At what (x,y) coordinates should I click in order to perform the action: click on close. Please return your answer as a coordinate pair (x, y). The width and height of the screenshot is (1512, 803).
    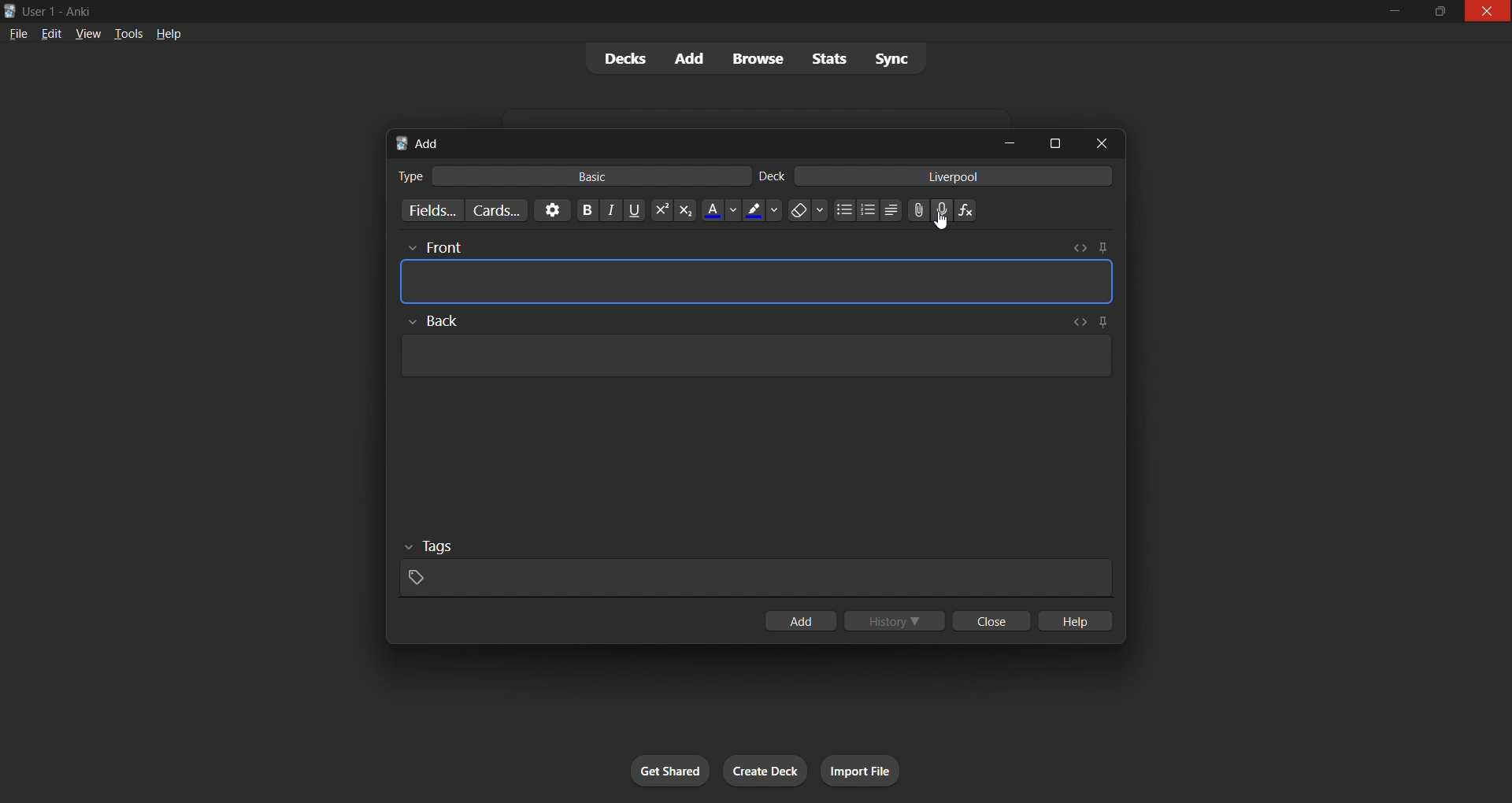
    Looking at the image, I should click on (1487, 13).